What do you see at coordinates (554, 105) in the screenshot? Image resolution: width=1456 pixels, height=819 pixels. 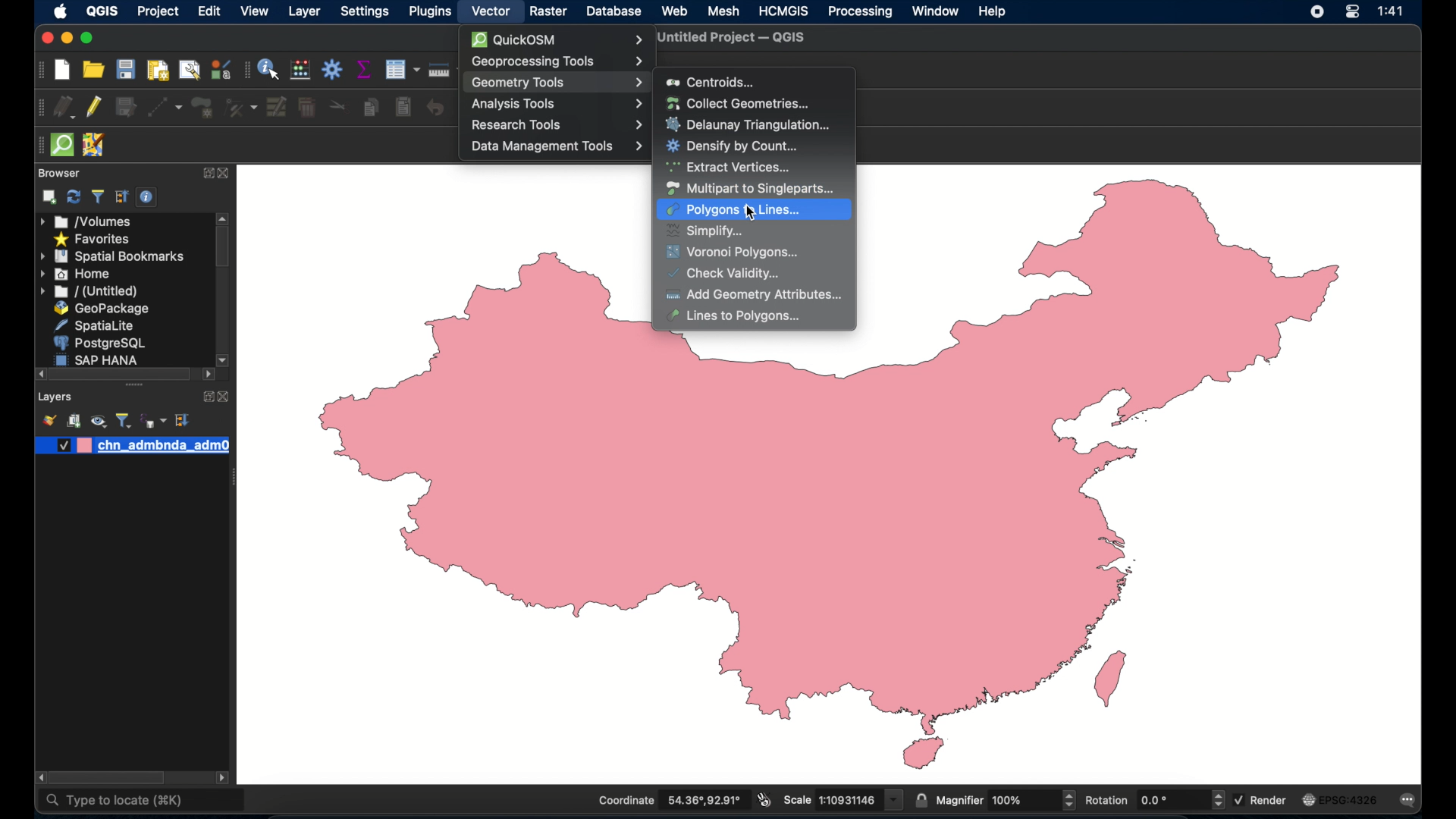 I see `analysis tools` at bounding box center [554, 105].